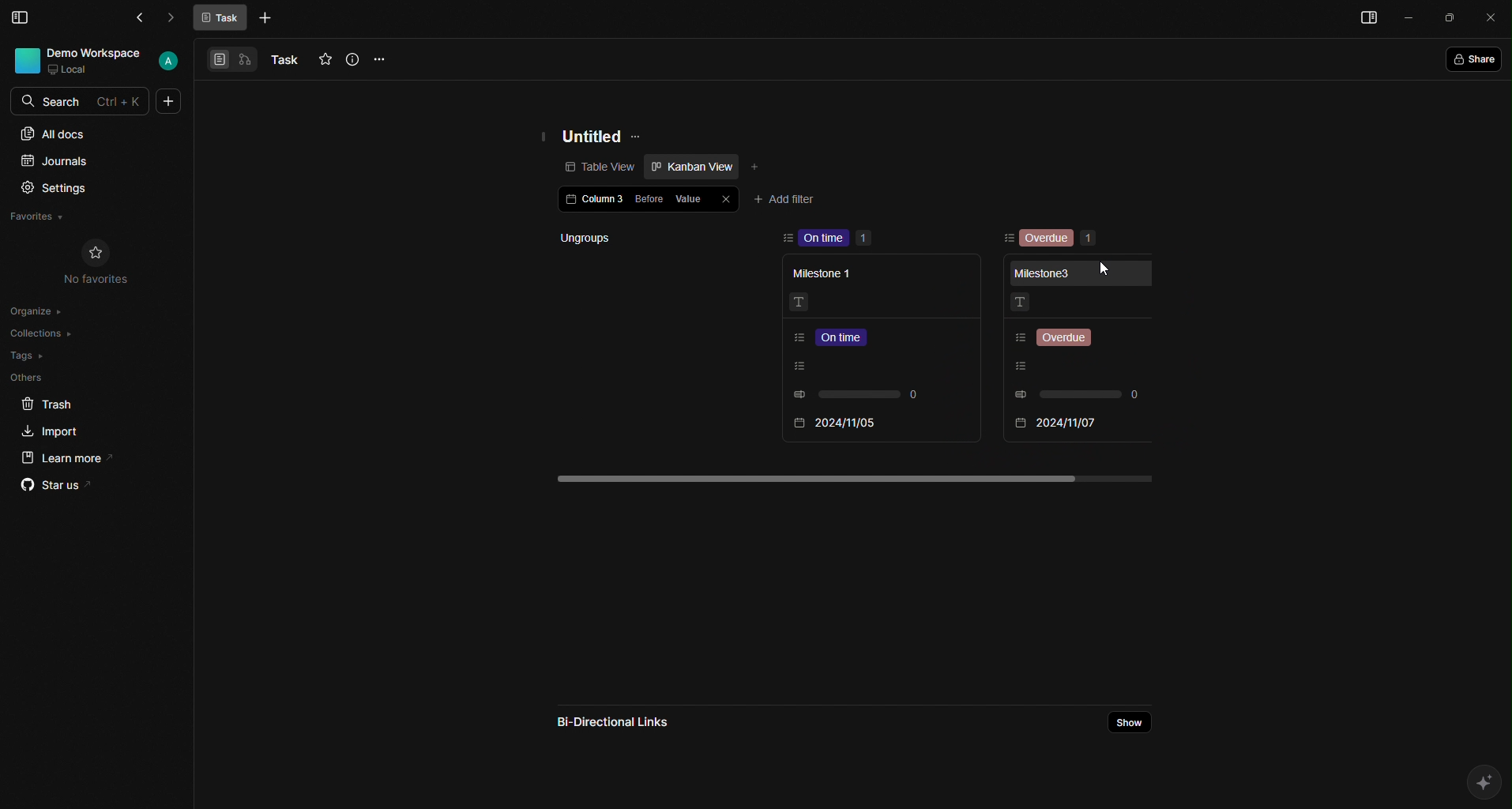 The width and height of the screenshot is (1512, 809). Describe the element at coordinates (1081, 393) in the screenshot. I see `0` at that location.